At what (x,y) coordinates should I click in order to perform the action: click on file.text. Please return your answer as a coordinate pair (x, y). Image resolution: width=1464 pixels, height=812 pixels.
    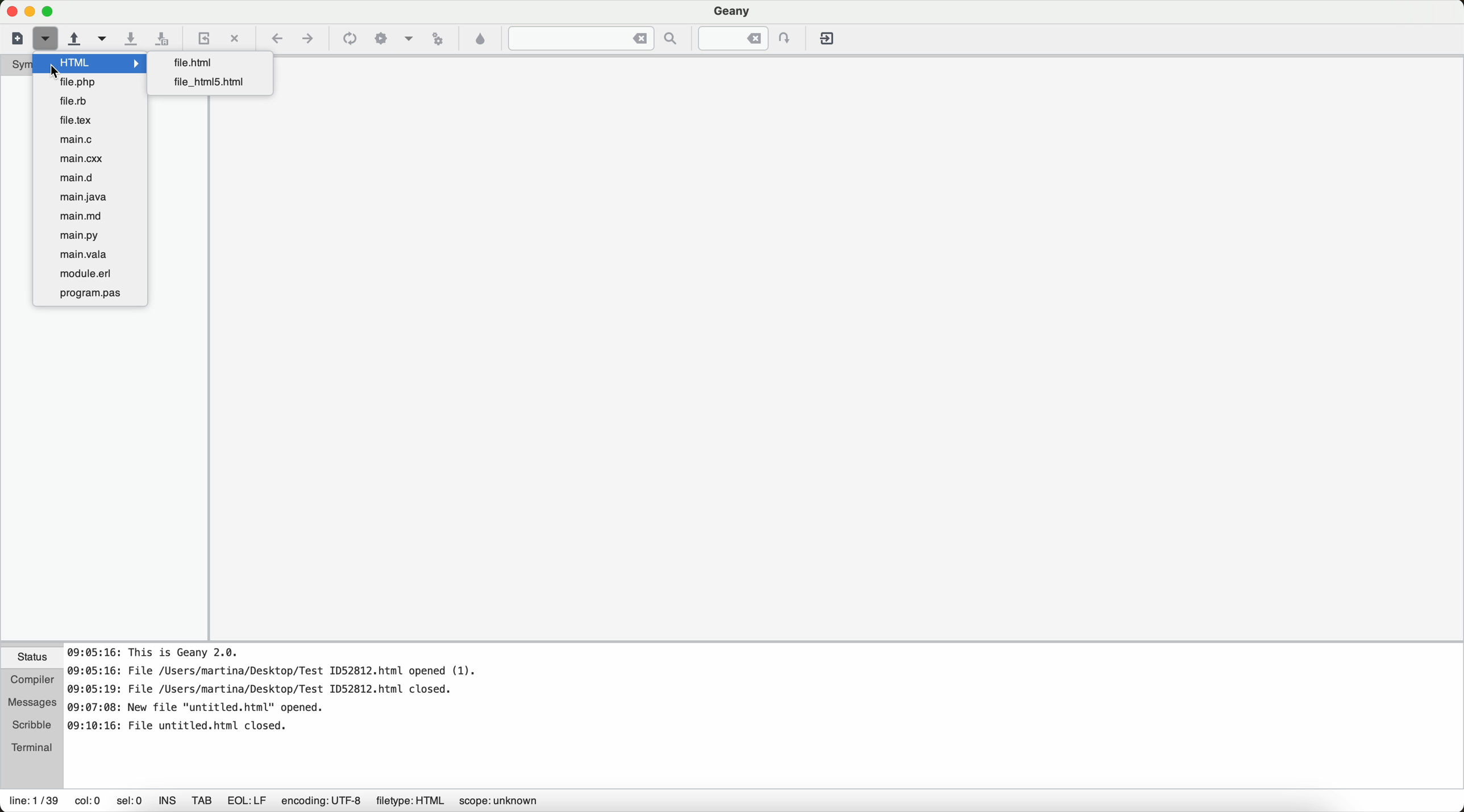
    Looking at the image, I should click on (90, 118).